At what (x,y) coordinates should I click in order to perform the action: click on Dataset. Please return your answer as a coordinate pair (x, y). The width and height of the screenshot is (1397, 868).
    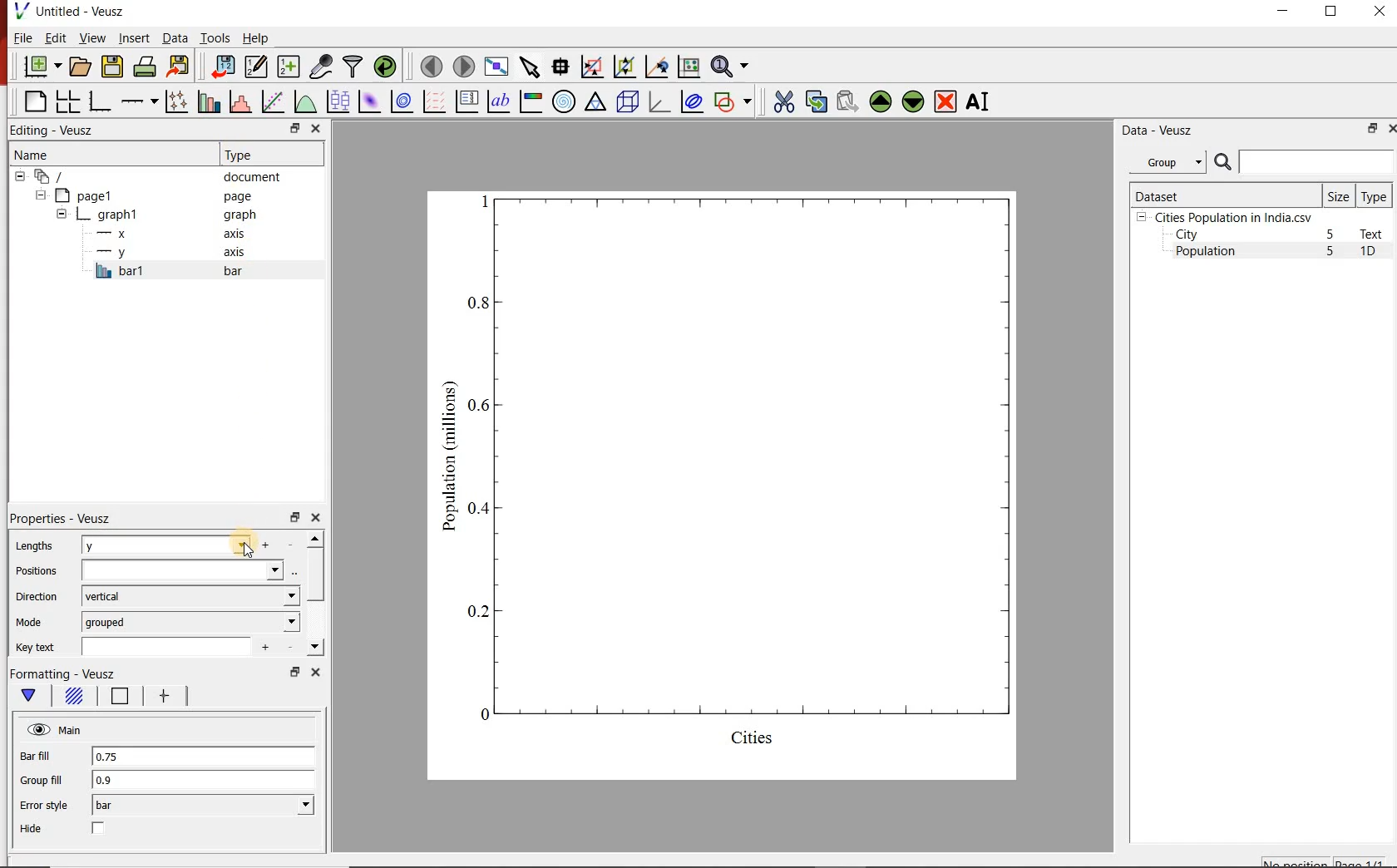
    Looking at the image, I should click on (1223, 195).